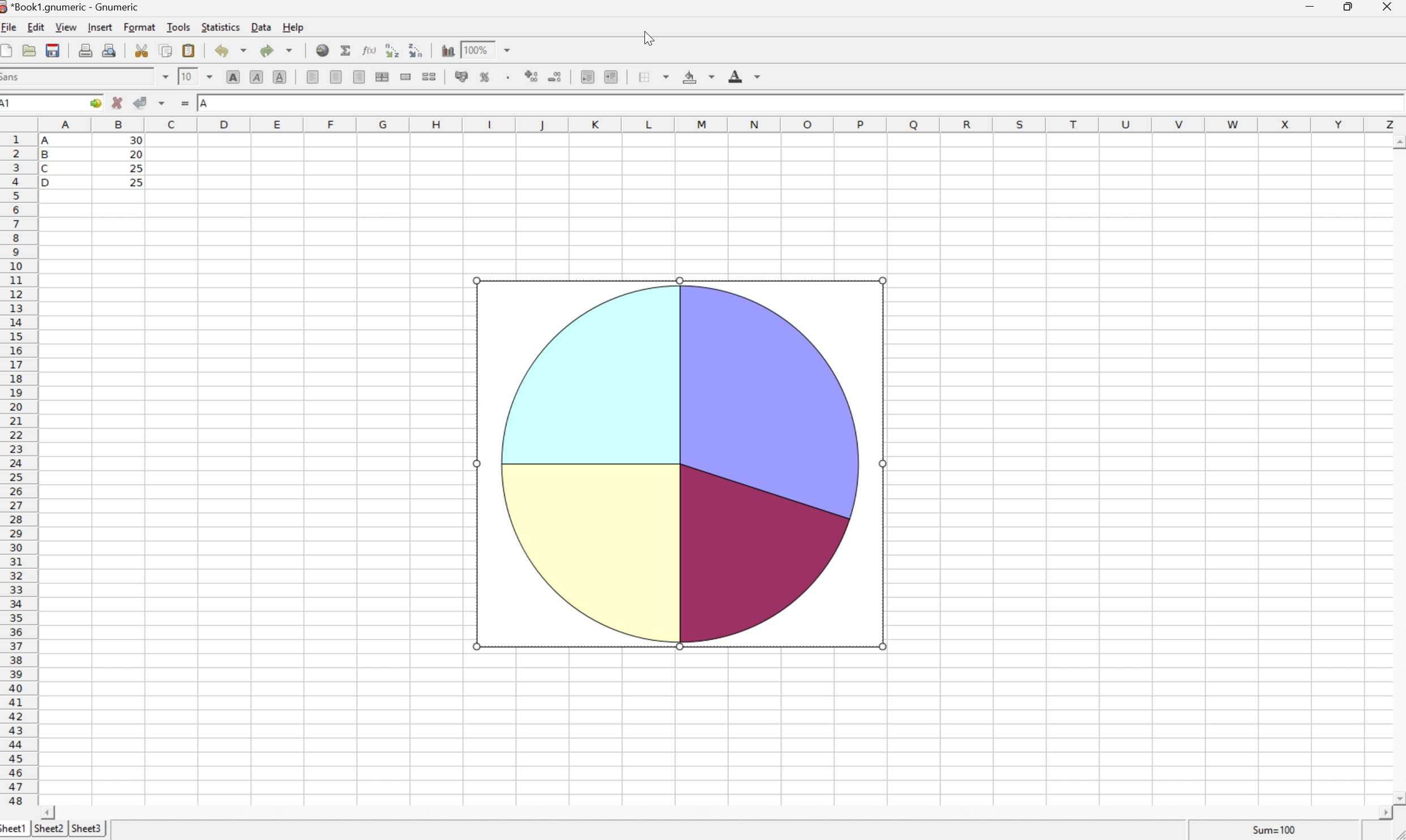 The height and width of the screenshot is (840, 1406). Describe the element at coordinates (1381, 813) in the screenshot. I see `Scroll Right` at that location.